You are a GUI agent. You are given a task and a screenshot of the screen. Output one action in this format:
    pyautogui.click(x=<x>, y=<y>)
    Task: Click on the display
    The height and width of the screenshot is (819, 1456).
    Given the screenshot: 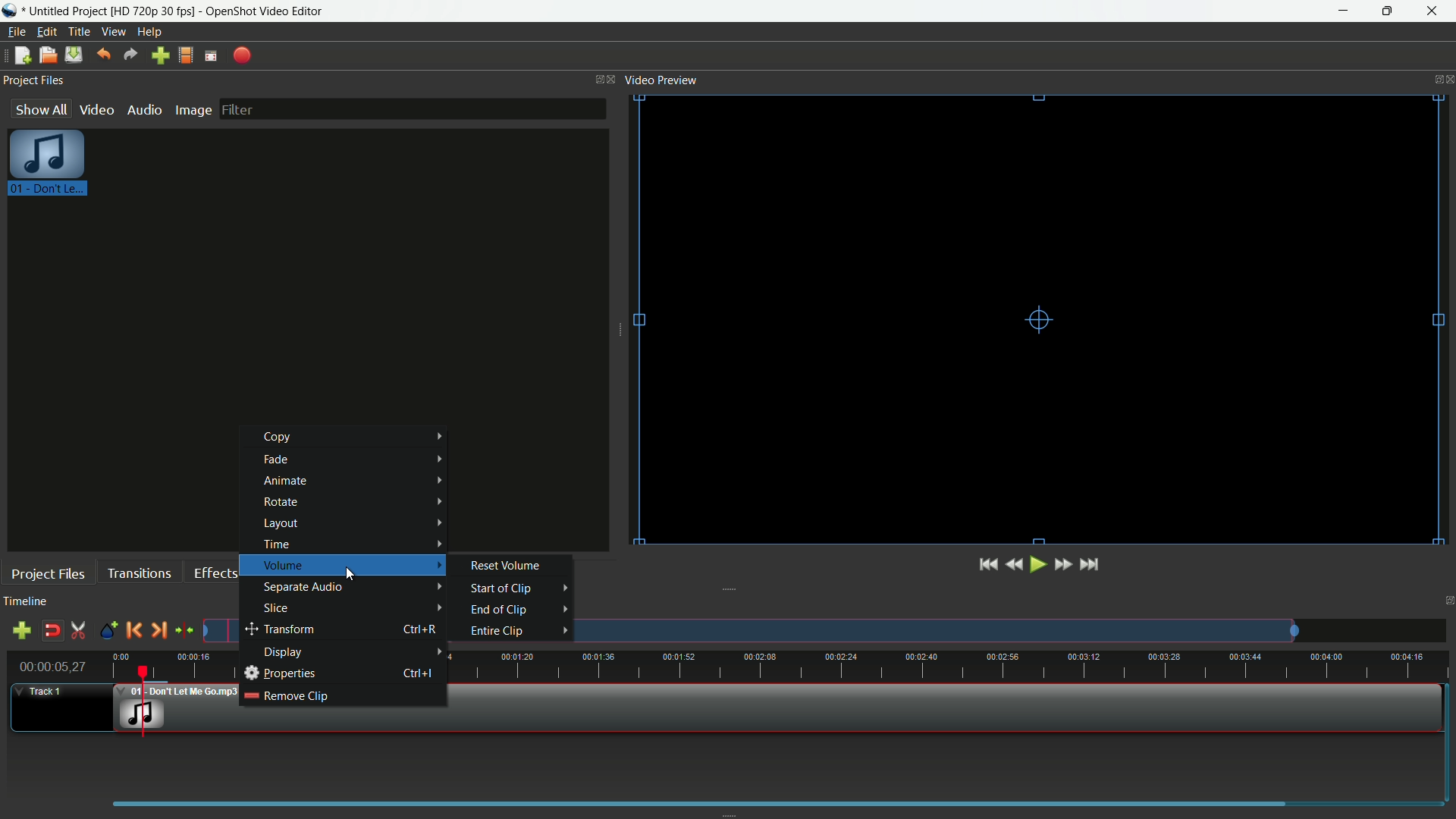 What is the action you would take?
    pyautogui.click(x=355, y=653)
    